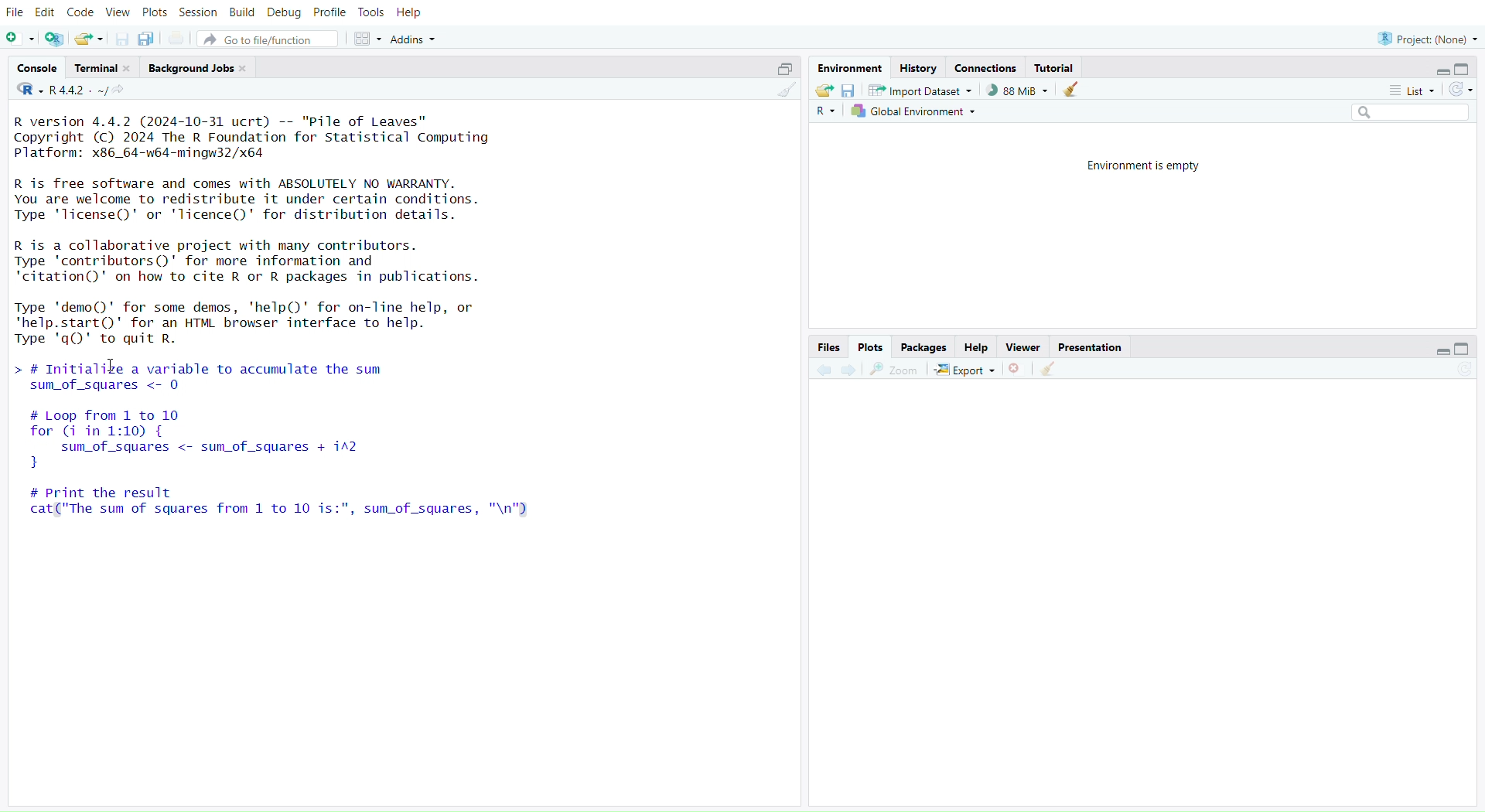  What do you see at coordinates (1439, 70) in the screenshot?
I see `expand` at bounding box center [1439, 70].